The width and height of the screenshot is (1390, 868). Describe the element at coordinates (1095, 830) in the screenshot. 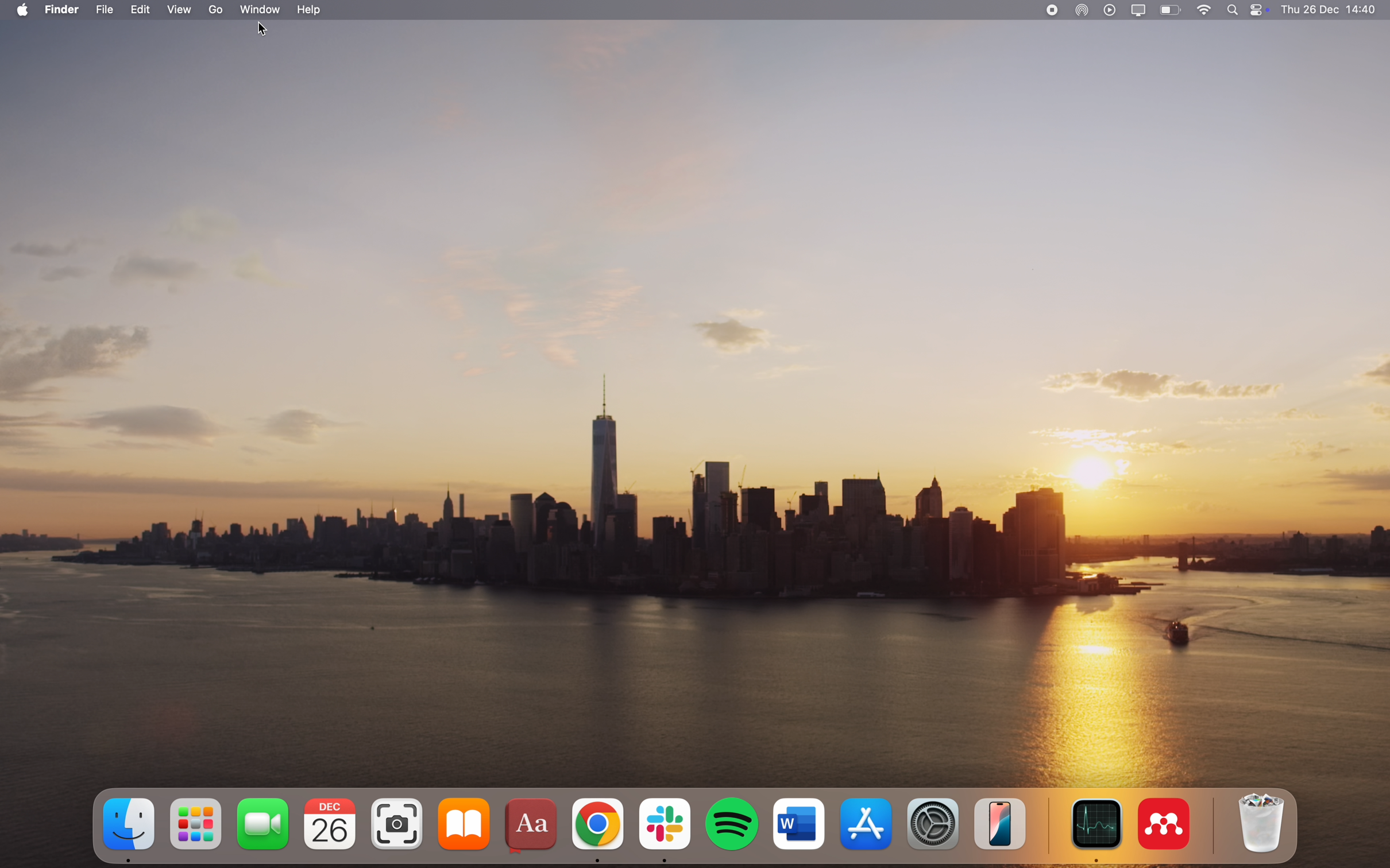

I see `activity monitor` at that location.